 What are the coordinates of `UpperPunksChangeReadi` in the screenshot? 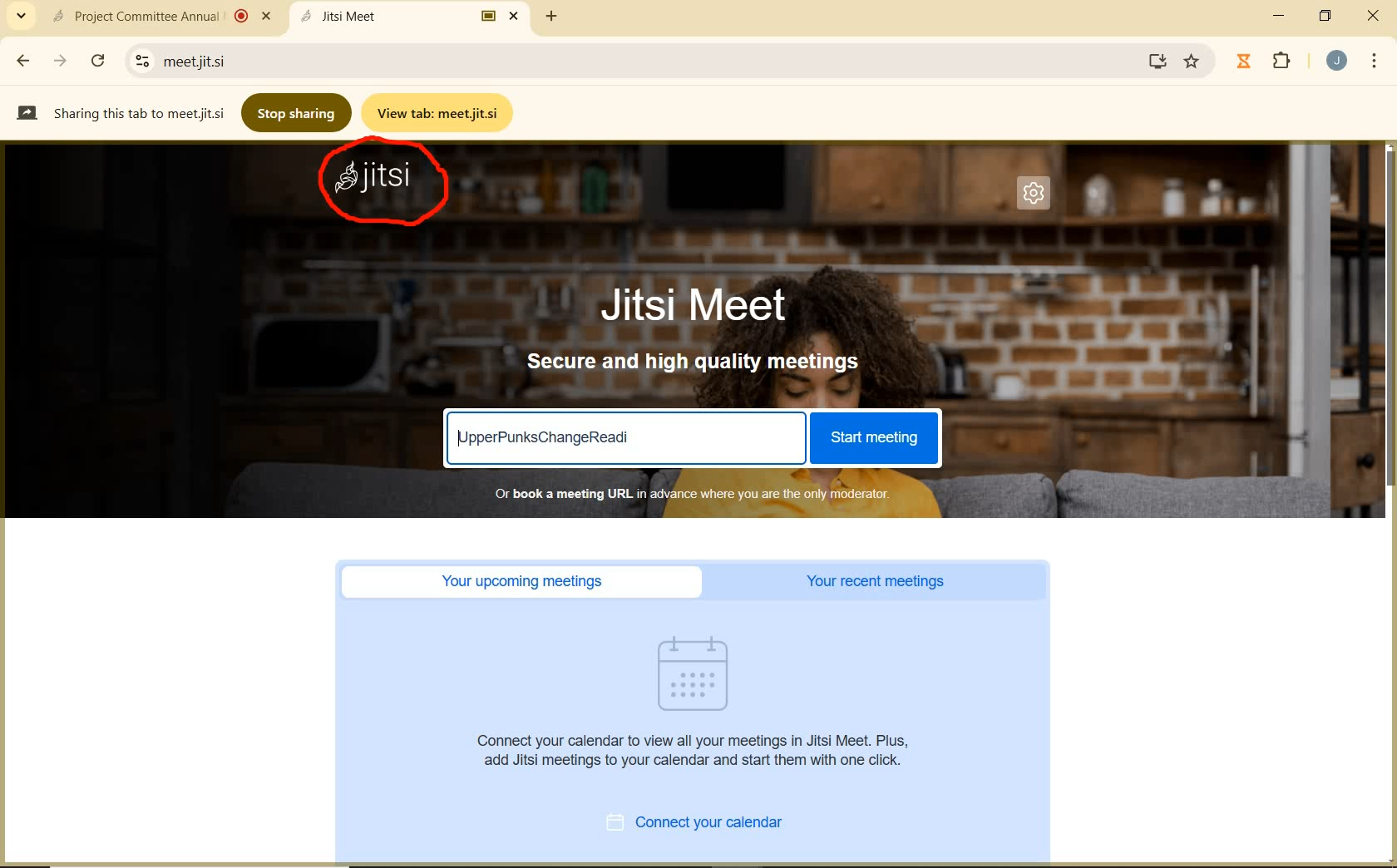 It's located at (547, 436).